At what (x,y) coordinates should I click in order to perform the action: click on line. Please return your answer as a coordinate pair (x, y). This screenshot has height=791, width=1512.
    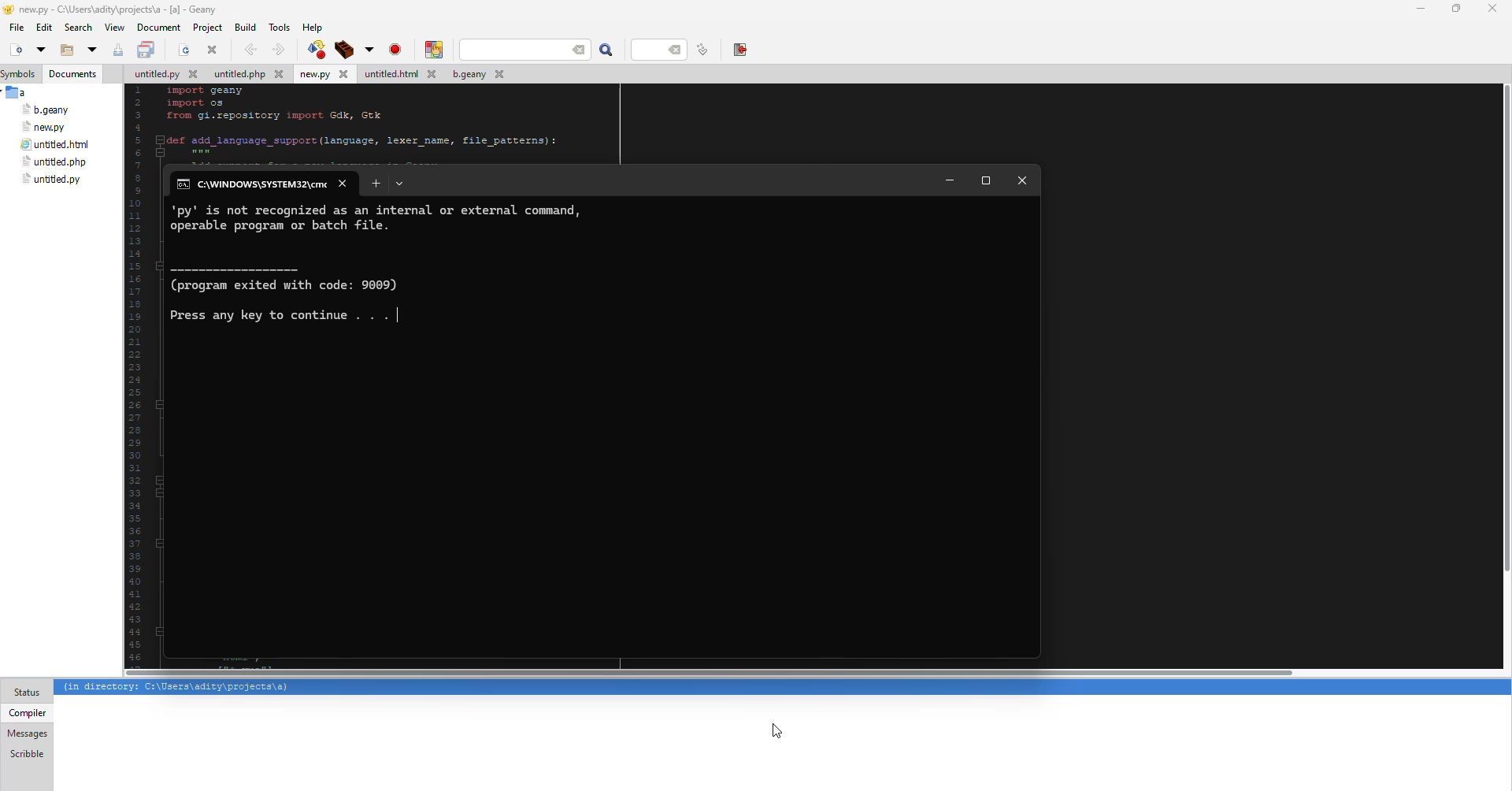
    Looking at the image, I should click on (658, 50).